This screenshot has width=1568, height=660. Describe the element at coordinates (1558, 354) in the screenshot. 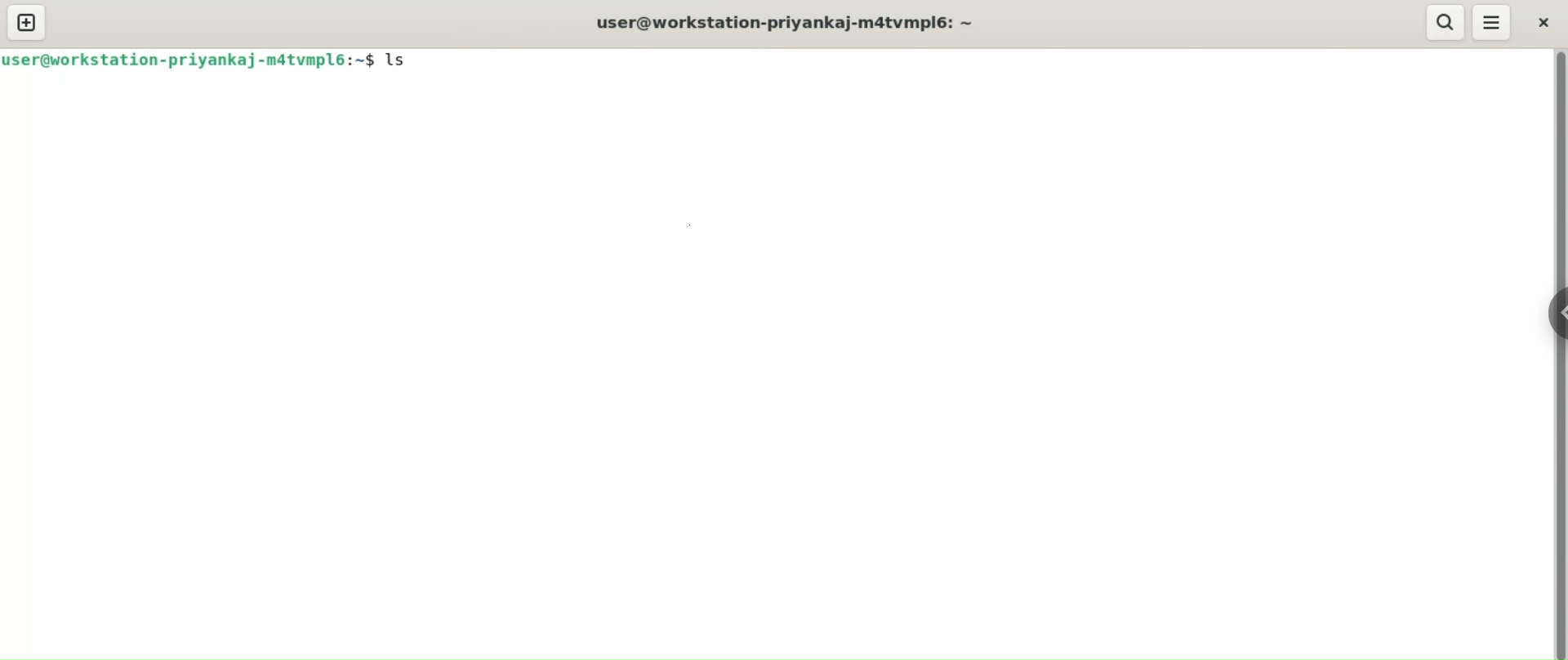

I see `verical scroll bar` at that location.